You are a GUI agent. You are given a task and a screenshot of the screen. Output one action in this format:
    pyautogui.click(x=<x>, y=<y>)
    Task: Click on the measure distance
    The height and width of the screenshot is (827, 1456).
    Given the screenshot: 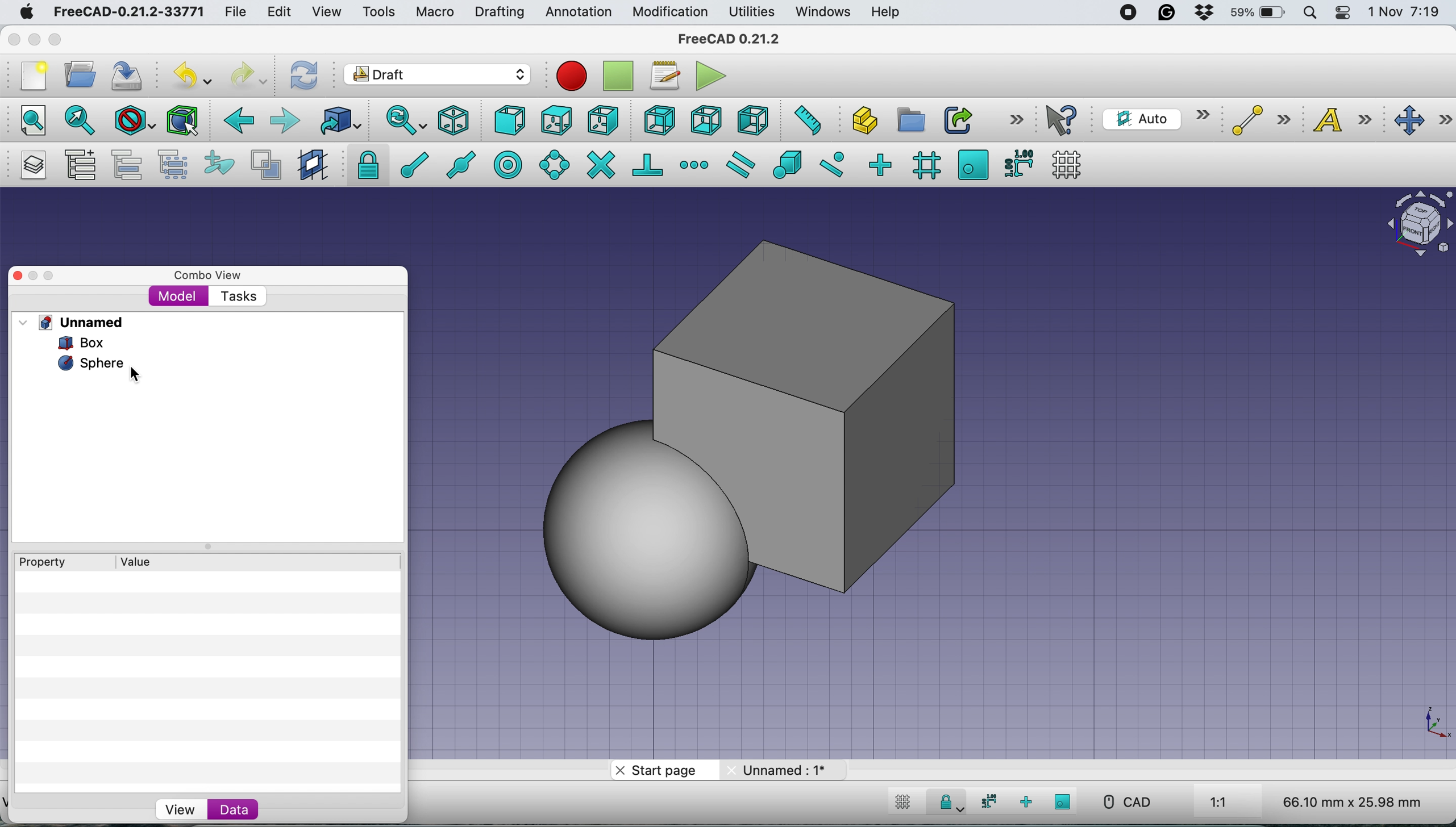 What is the action you would take?
    pyautogui.click(x=804, y=119)
    